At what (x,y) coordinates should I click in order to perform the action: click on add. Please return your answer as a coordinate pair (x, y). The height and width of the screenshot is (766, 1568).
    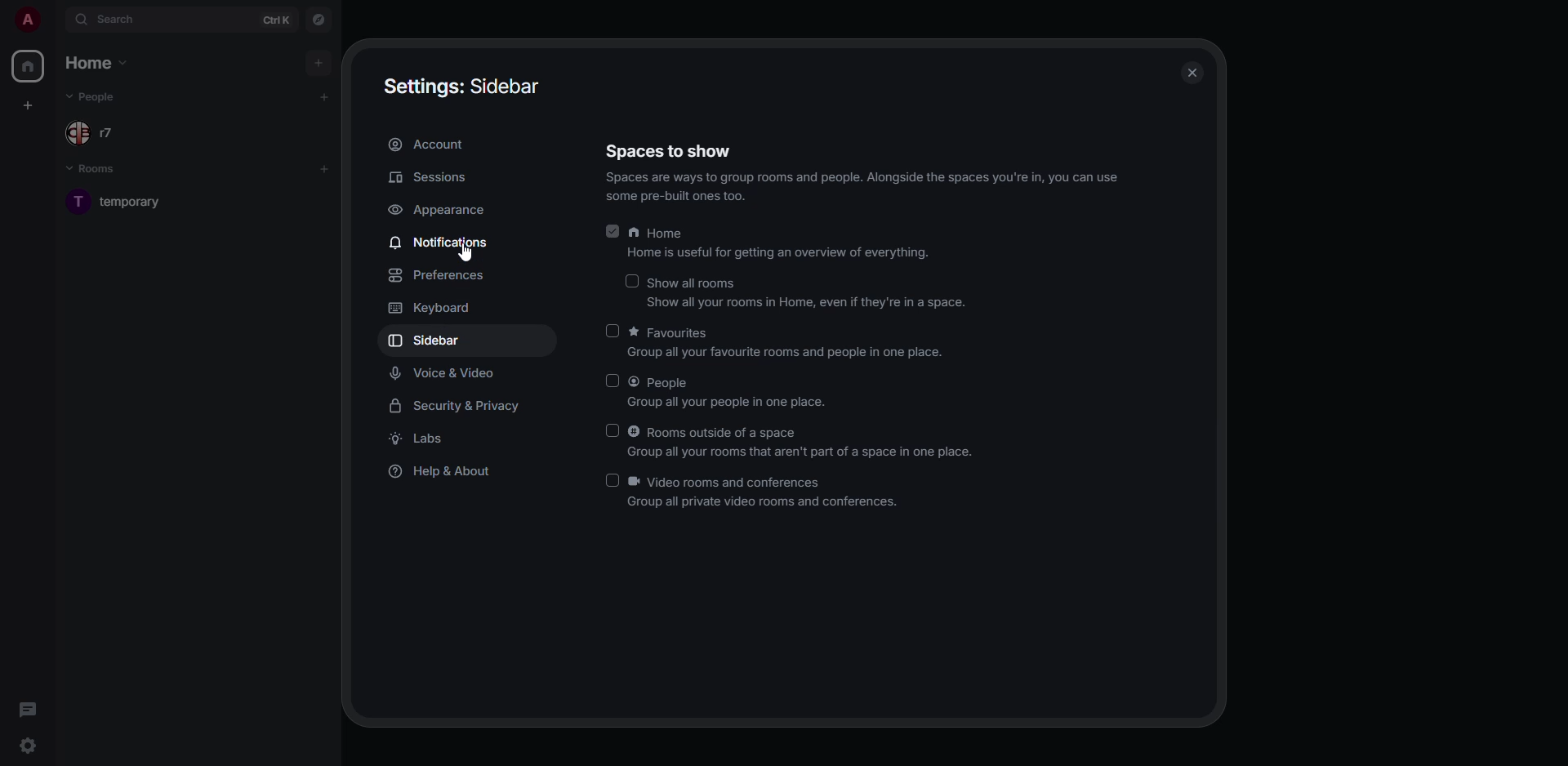
    Looking at the image, I should click on (317, 61).